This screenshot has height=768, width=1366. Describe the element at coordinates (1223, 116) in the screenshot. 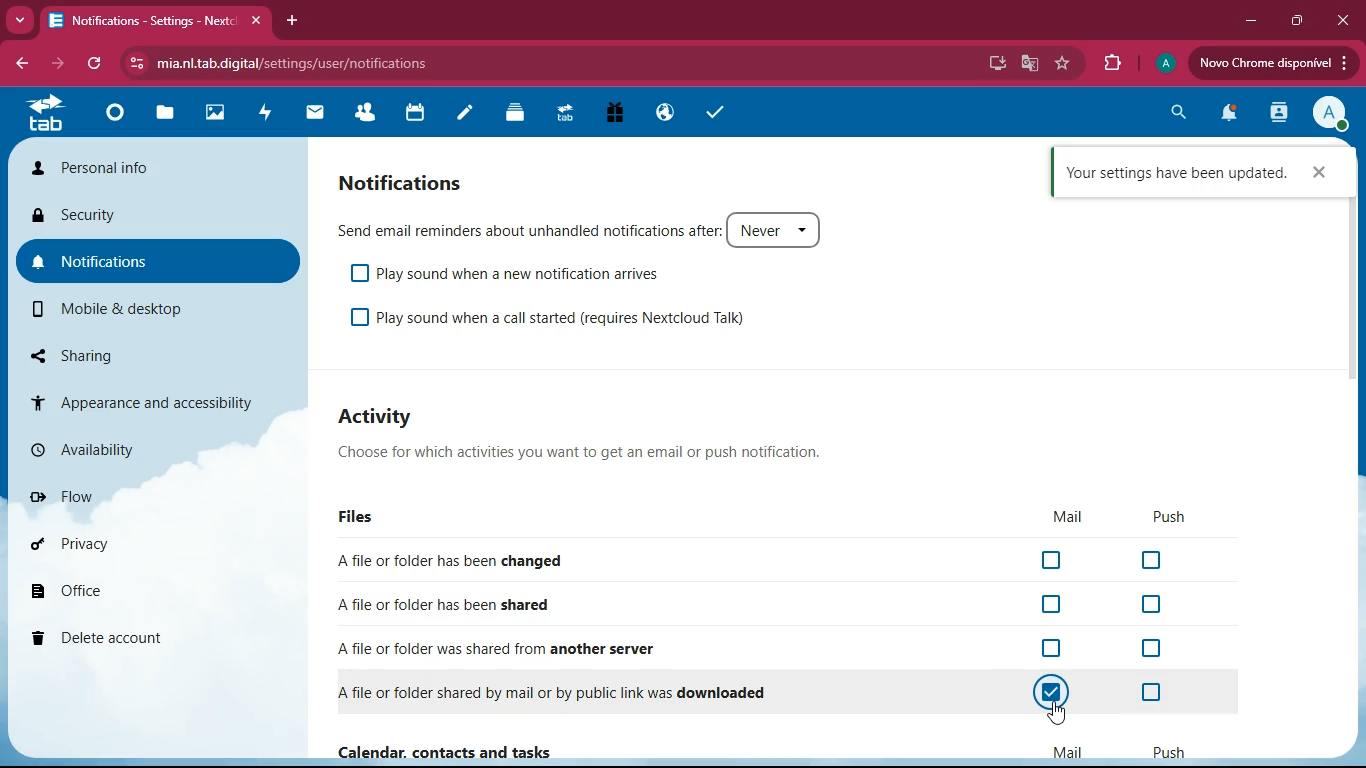

I see `notification` at that location.